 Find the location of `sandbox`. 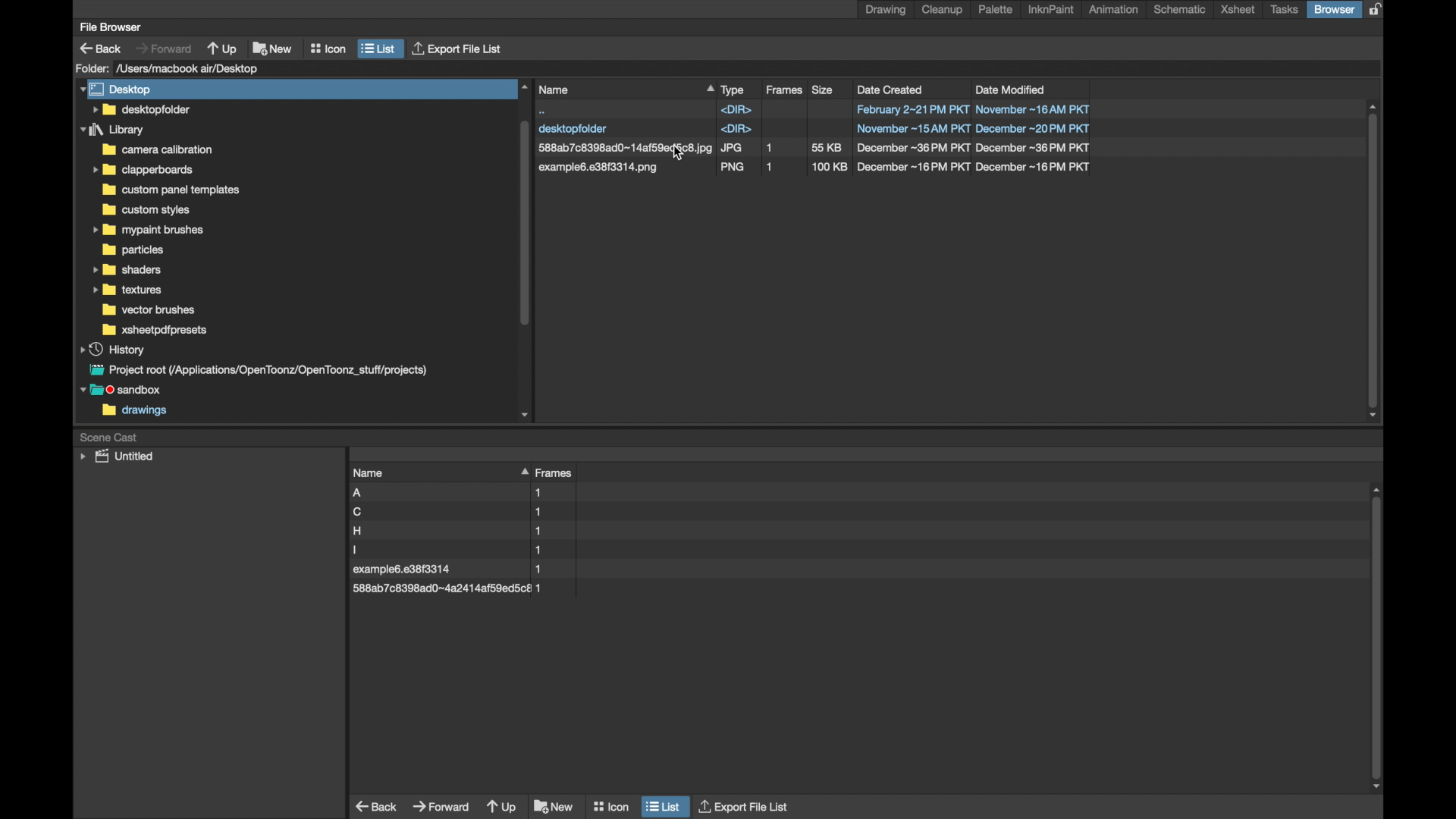

sandbox is located at coordinates (124, 391).